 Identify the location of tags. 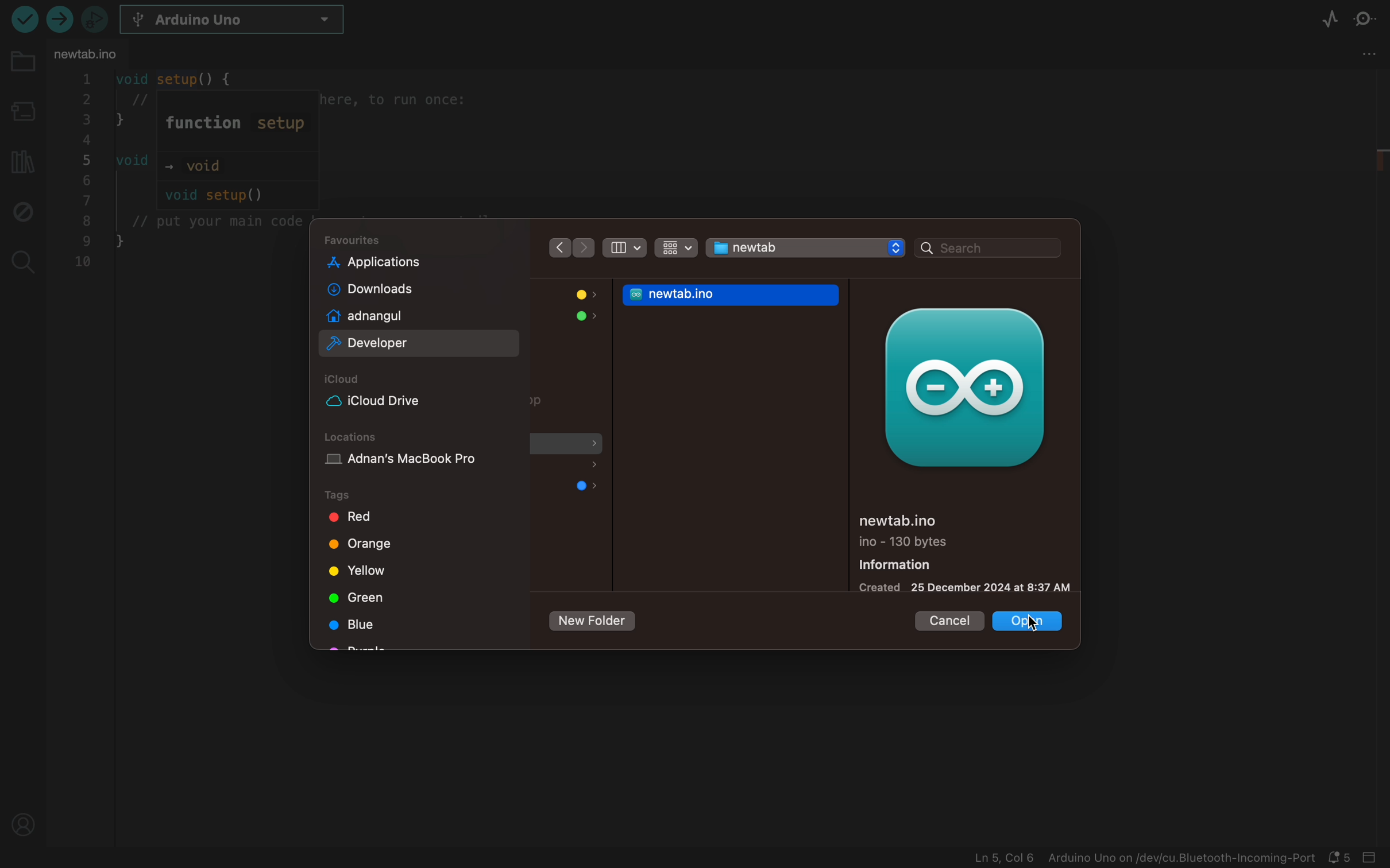
(357, 517).